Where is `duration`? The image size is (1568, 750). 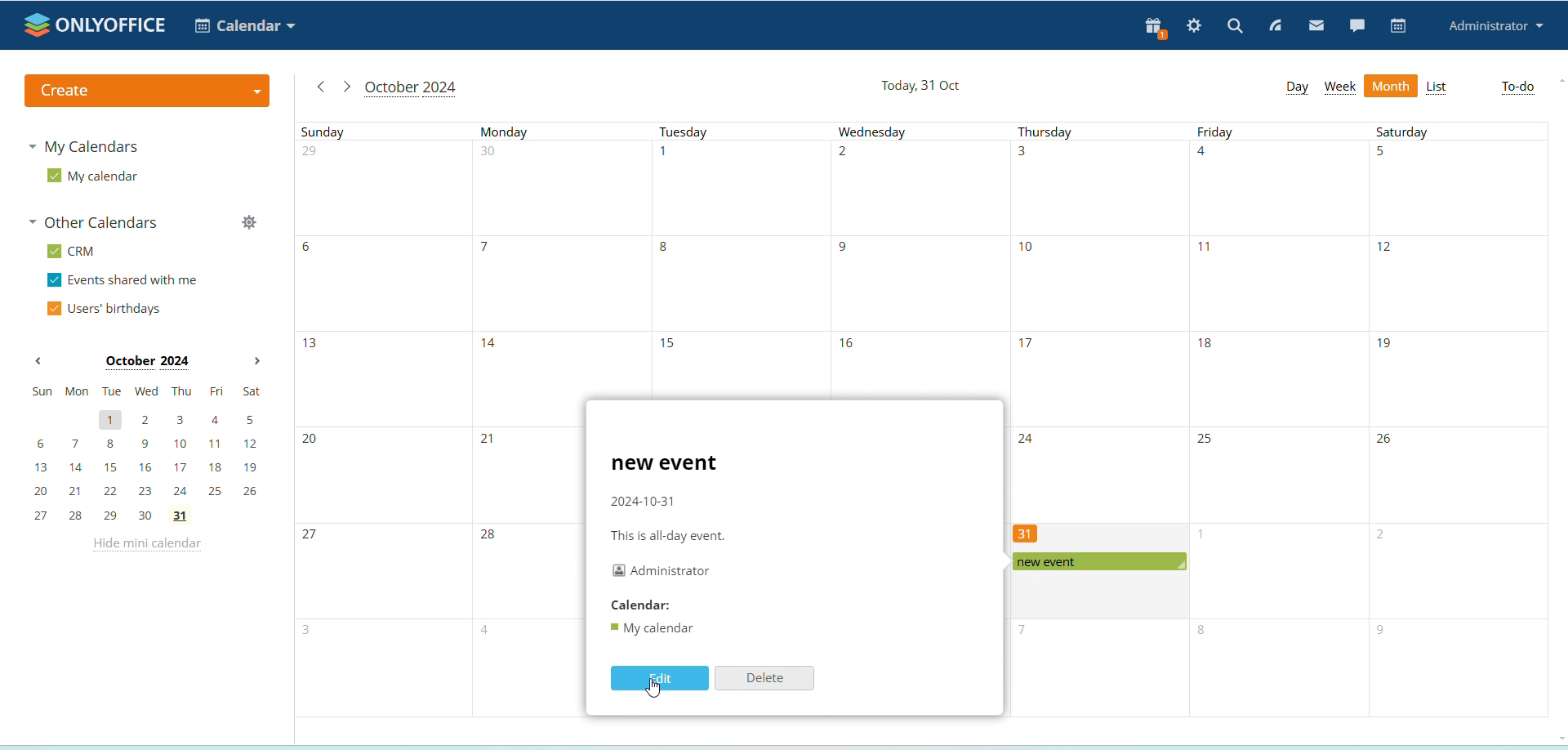 duration is located at coordinates (671, 536).